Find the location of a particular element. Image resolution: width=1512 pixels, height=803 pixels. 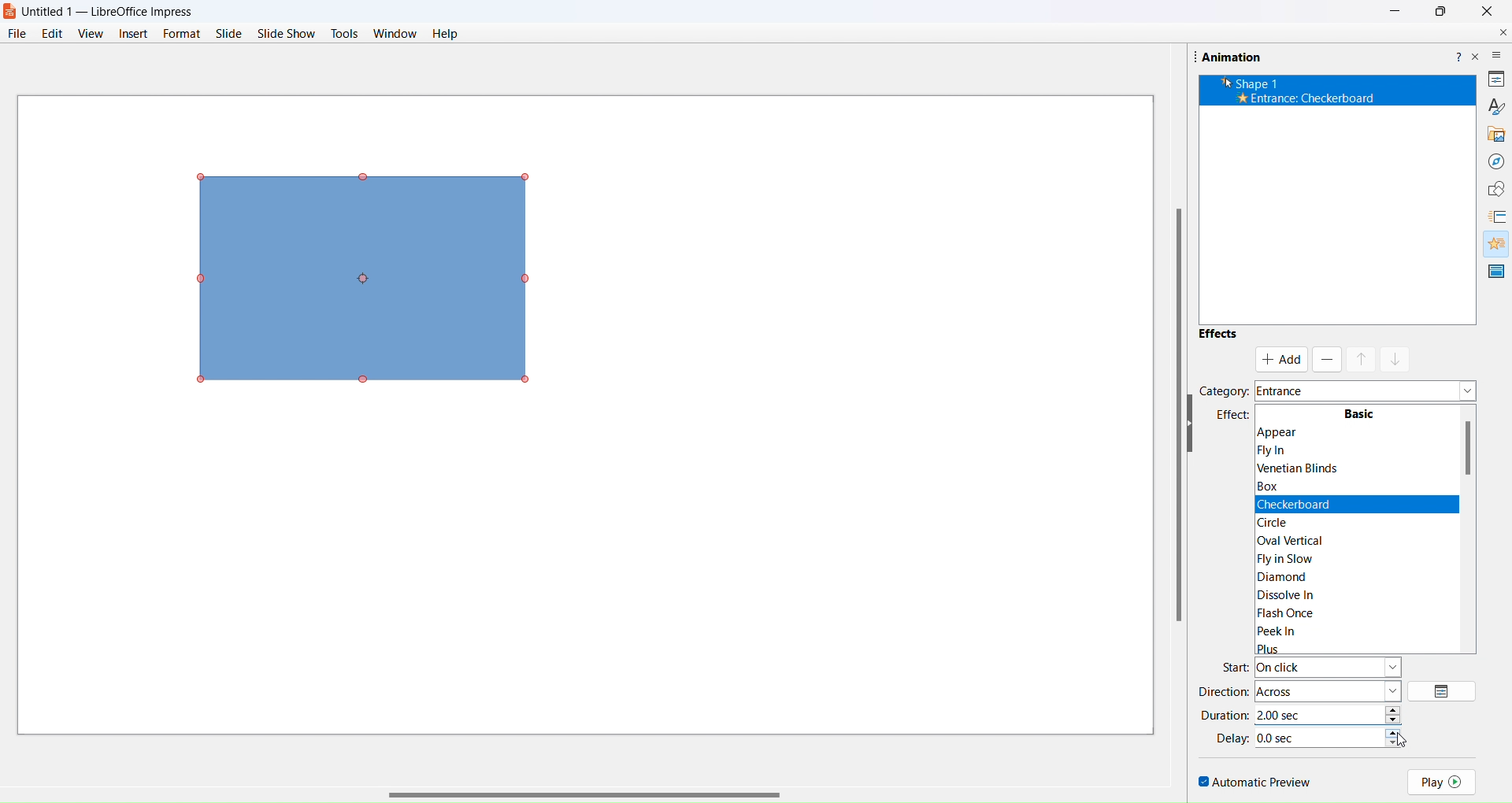

slide transition is located at coordinates (1499, 216).